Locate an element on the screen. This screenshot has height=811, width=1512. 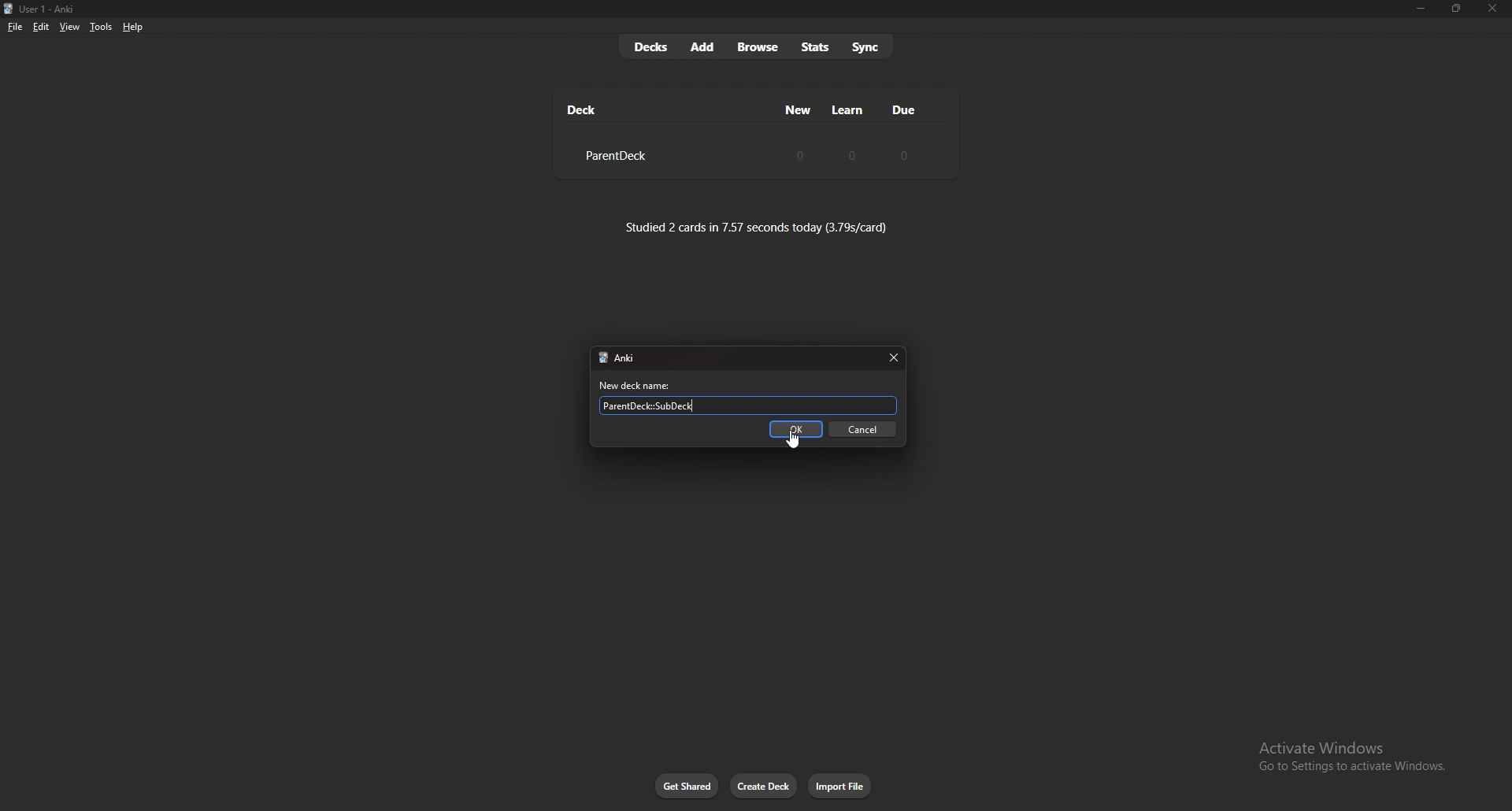
tools is located at coordinates (101, 27).